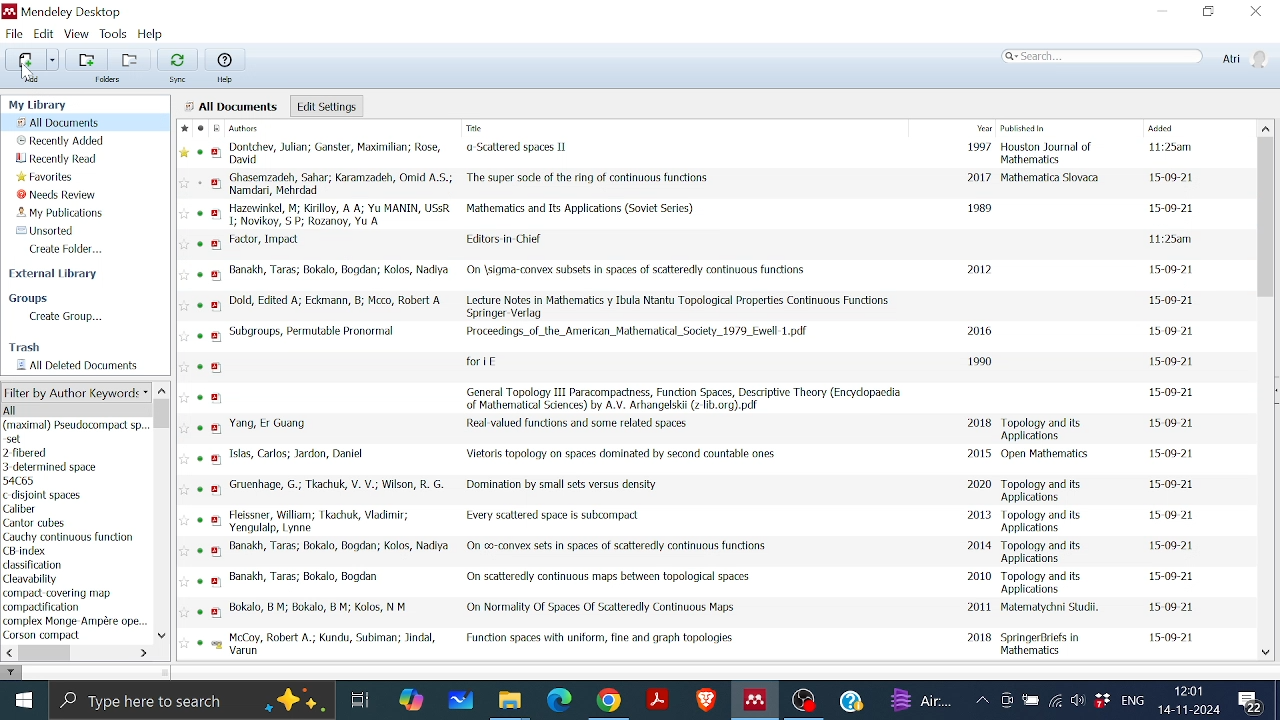 Image resolution: width=1280 pixels, height=720 pixels. Describe the element at coordinates (202, 430) in the screenshot. I see `read status` at that location.